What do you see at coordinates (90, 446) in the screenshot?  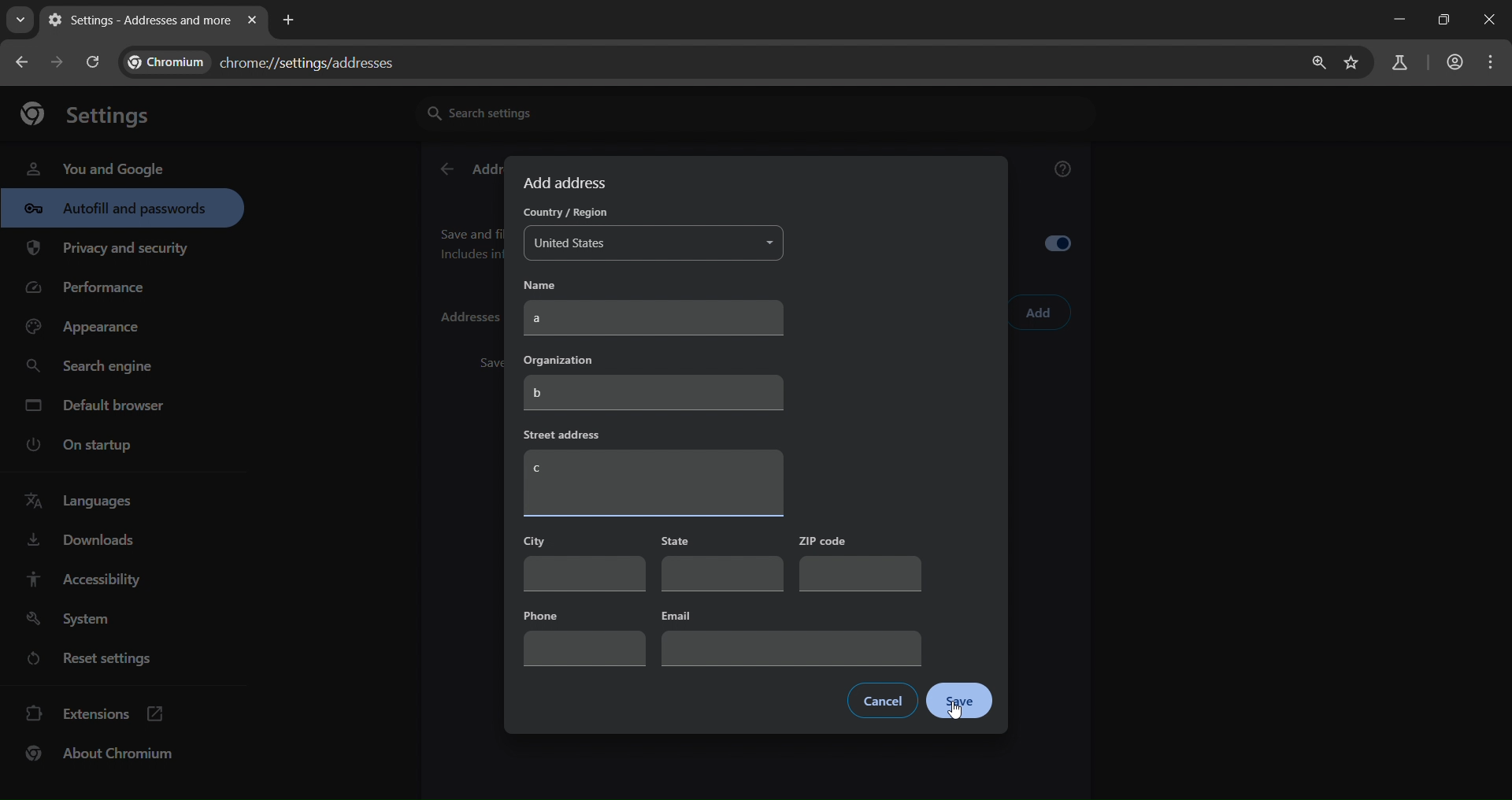 I see `on startup` at bounding box center [90, 446].